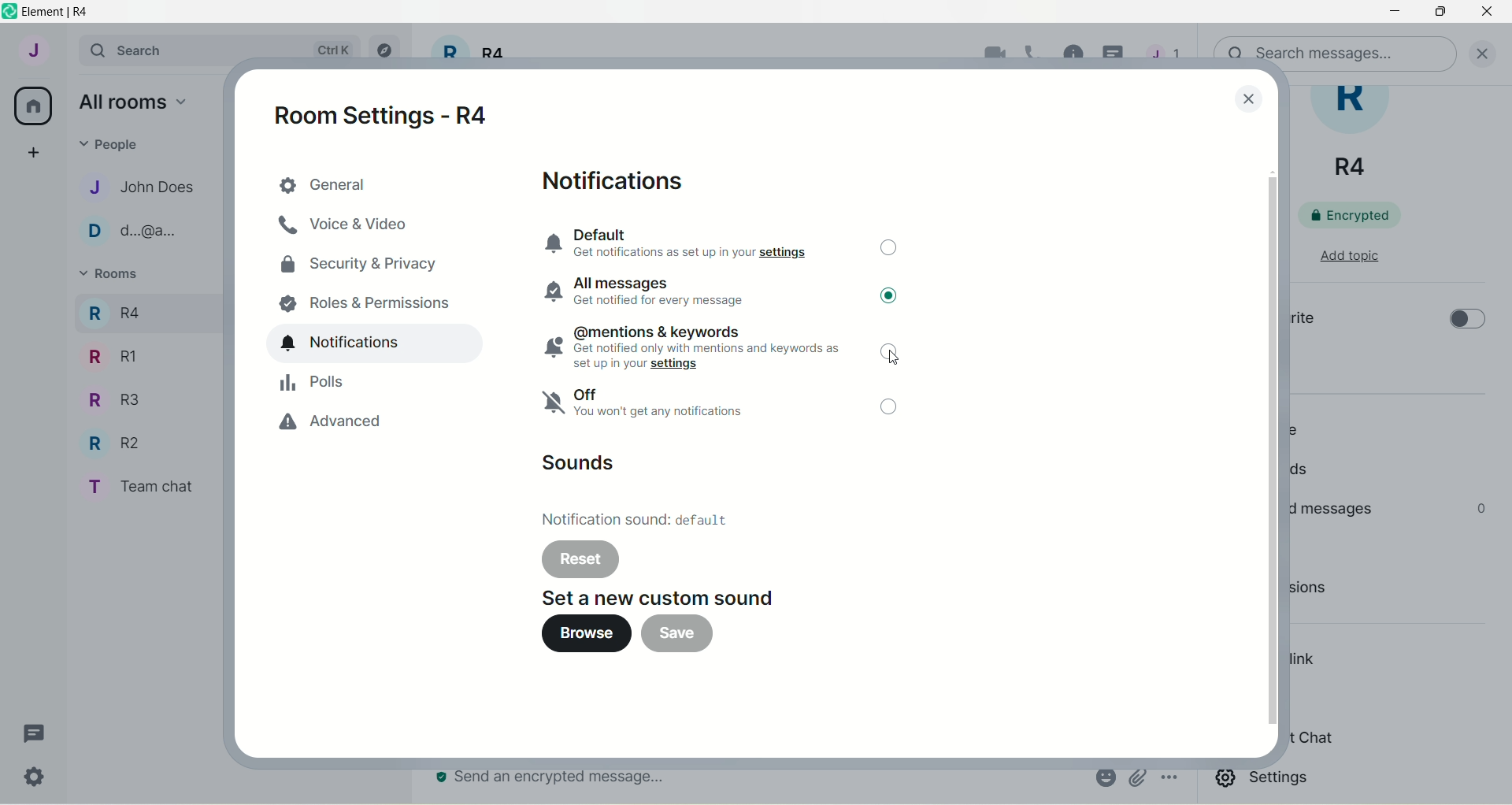 This screenshot has height=805, width=1512. I want to click on extensions, so click(1333, 592).